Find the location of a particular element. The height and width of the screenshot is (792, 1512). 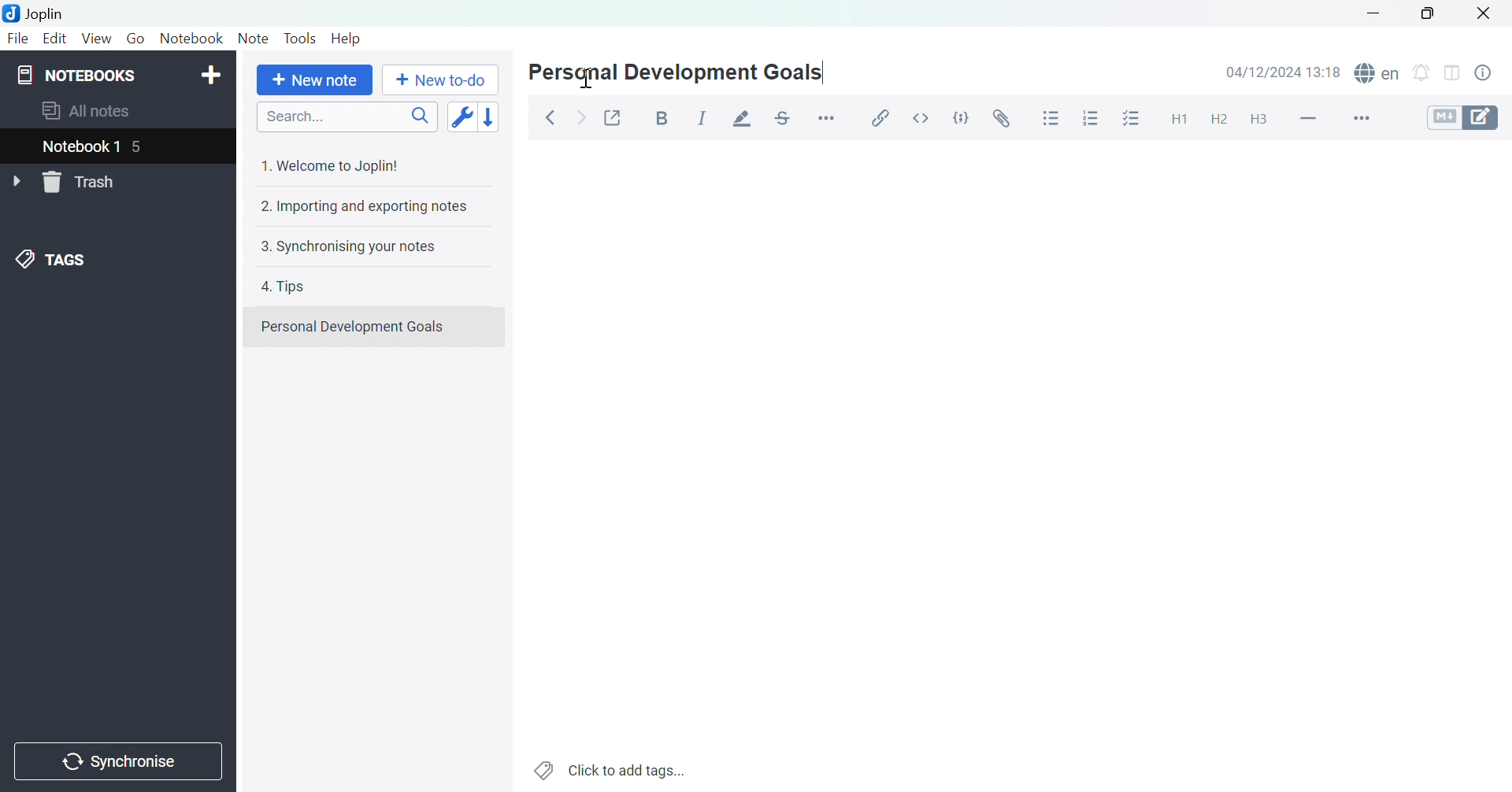

Notebook is located at coordinates (193, 41).